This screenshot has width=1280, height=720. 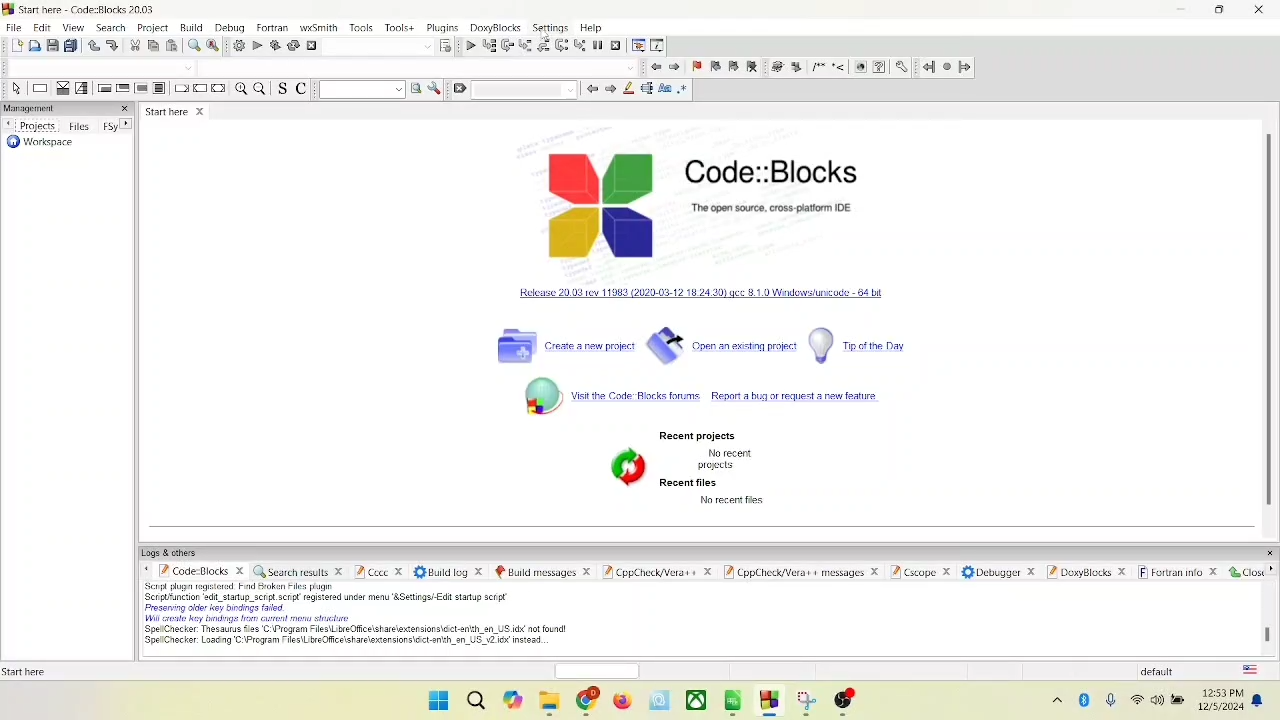 What do you see at coordinates (230, 26) in the screenshot?
I see `debug` at bounding box center [230, 26].